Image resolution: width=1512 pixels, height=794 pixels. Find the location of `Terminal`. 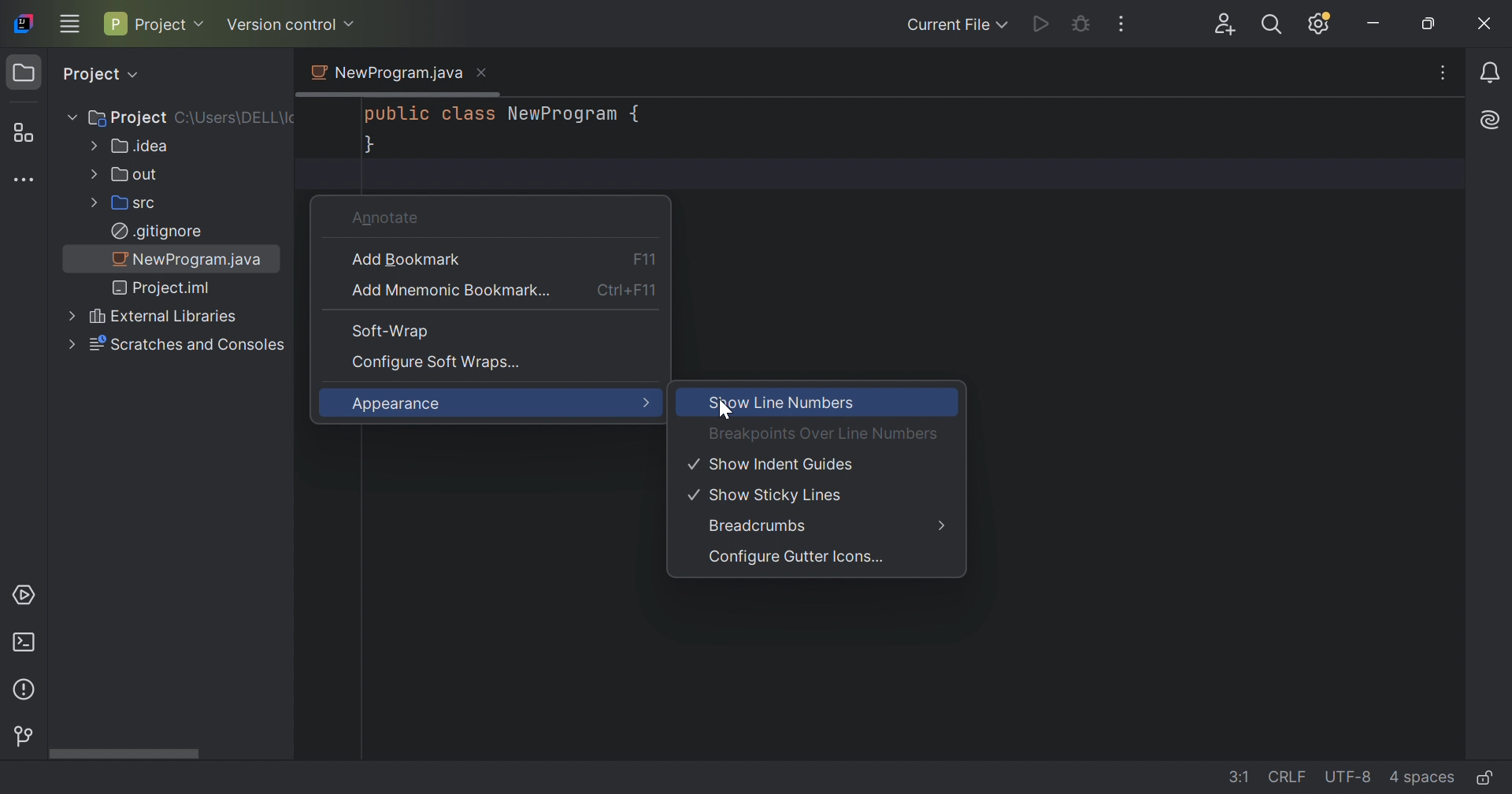

Terminal is located at coordinates (23, 643).